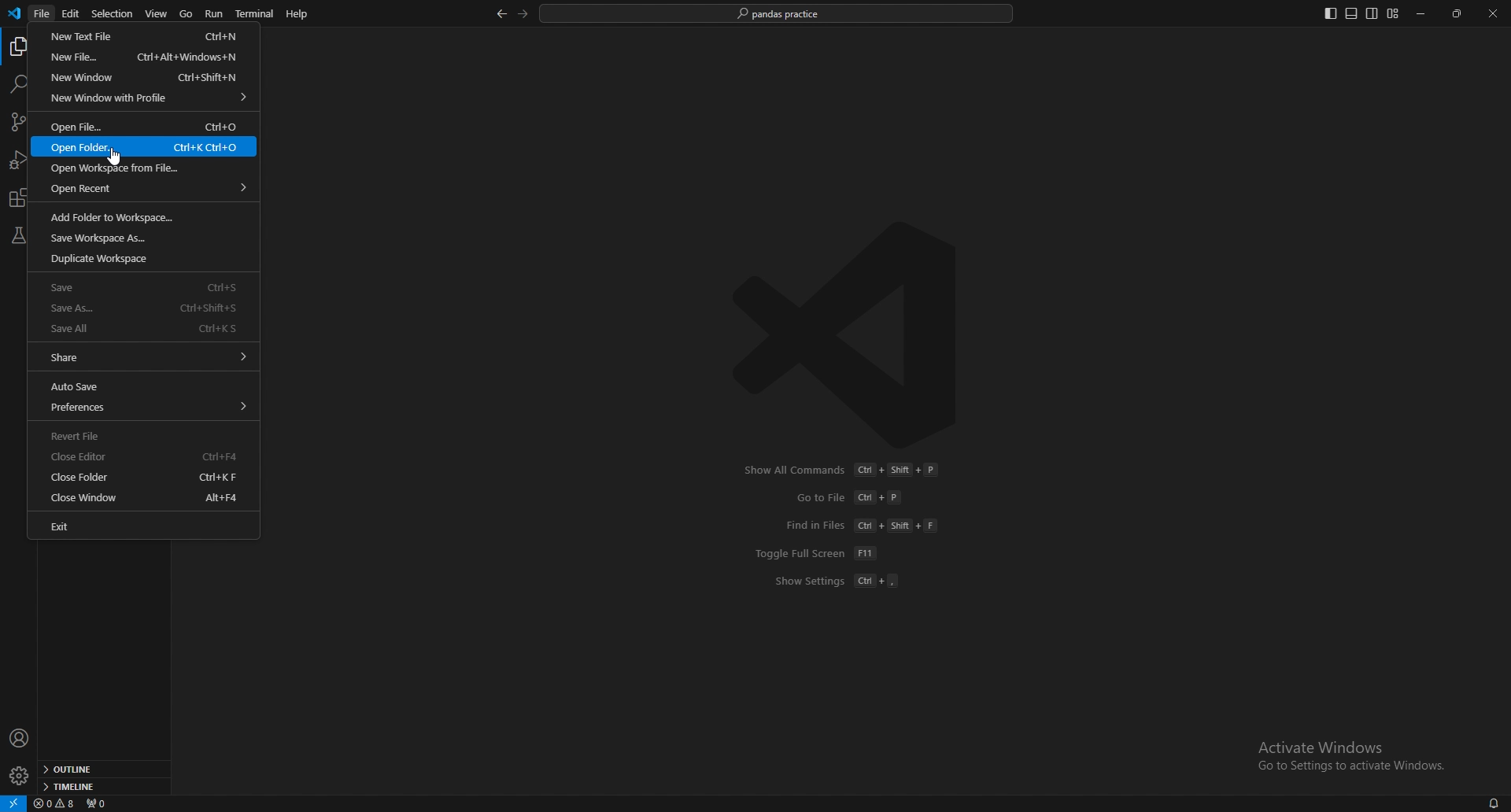  I want to click on cursor, so click(115, 160).